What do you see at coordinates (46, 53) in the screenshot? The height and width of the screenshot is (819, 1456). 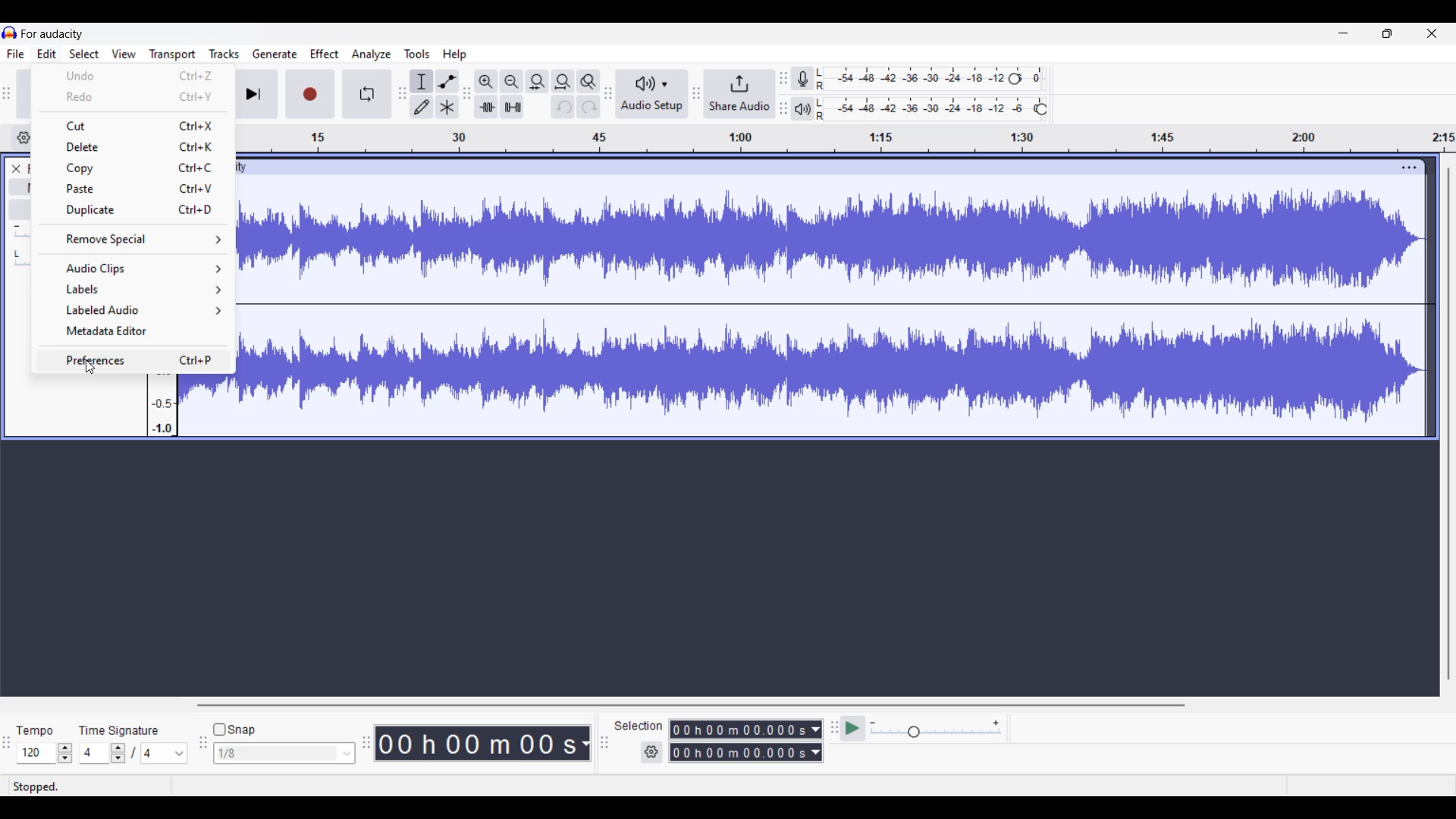 I see `Edit menu` at bounding box center [46, 53].